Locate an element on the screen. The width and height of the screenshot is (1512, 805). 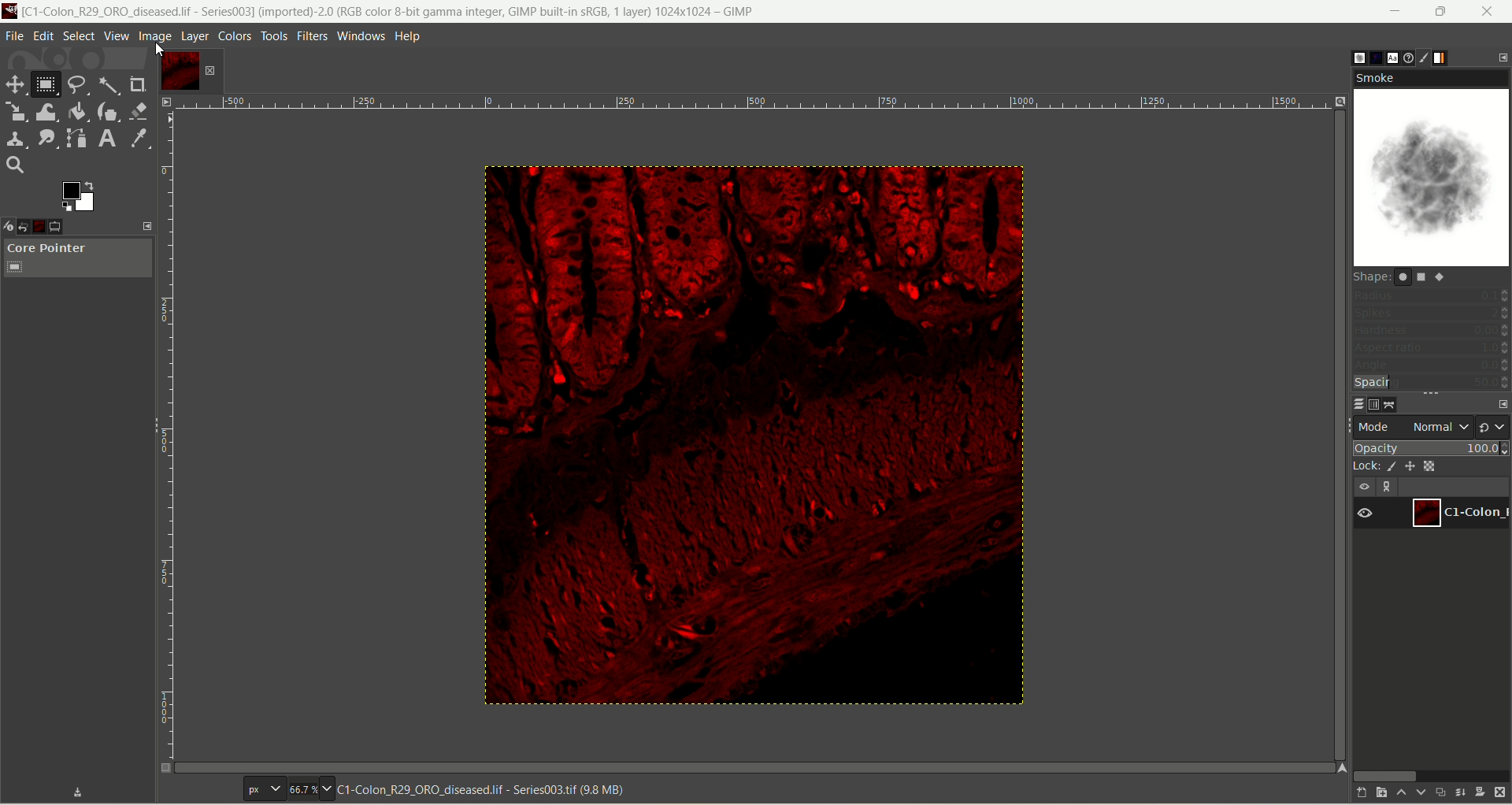
core pointer is located at coordinates (80, 259).